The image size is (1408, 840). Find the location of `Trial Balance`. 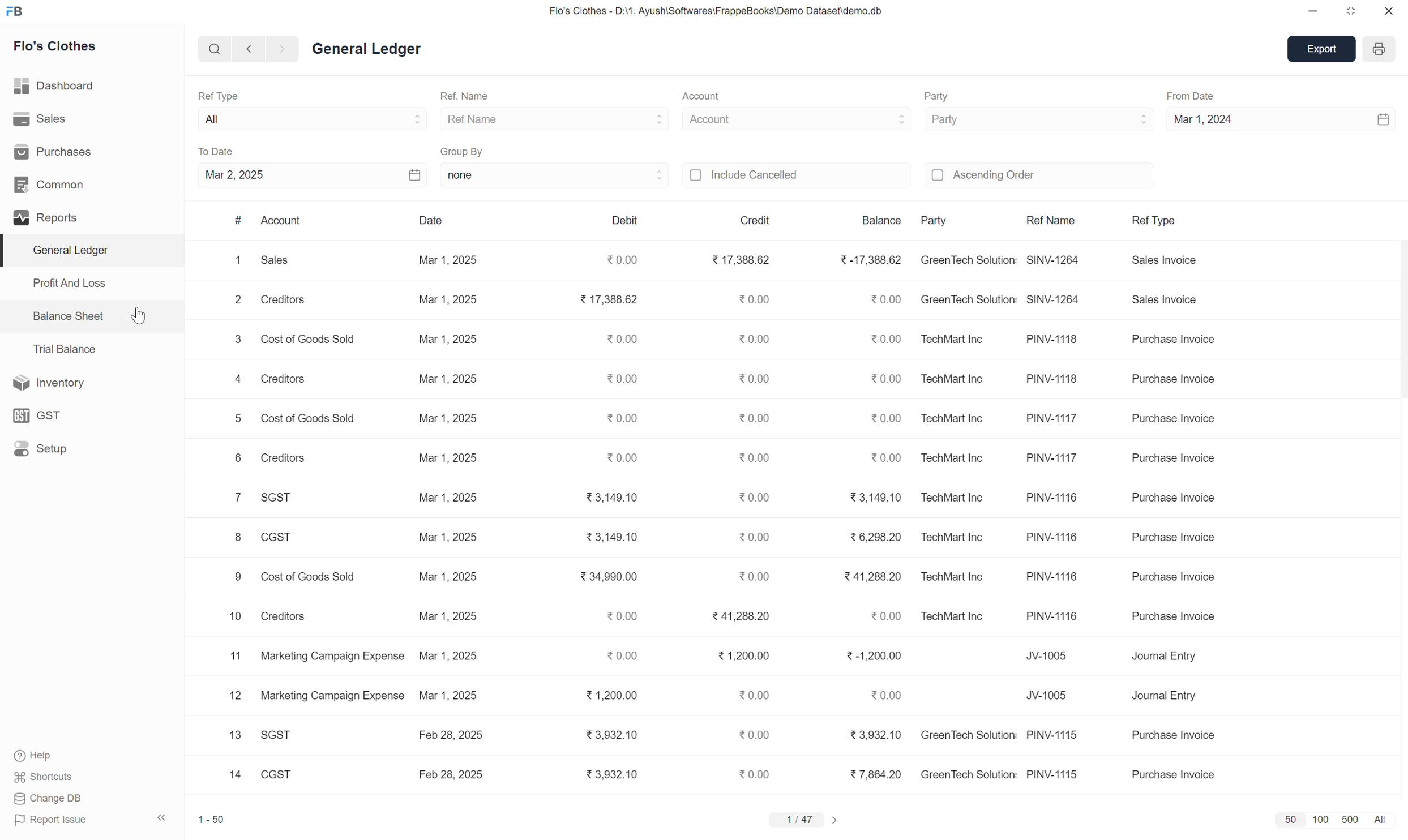

Trial Balance is located at coordinates (70, 350).